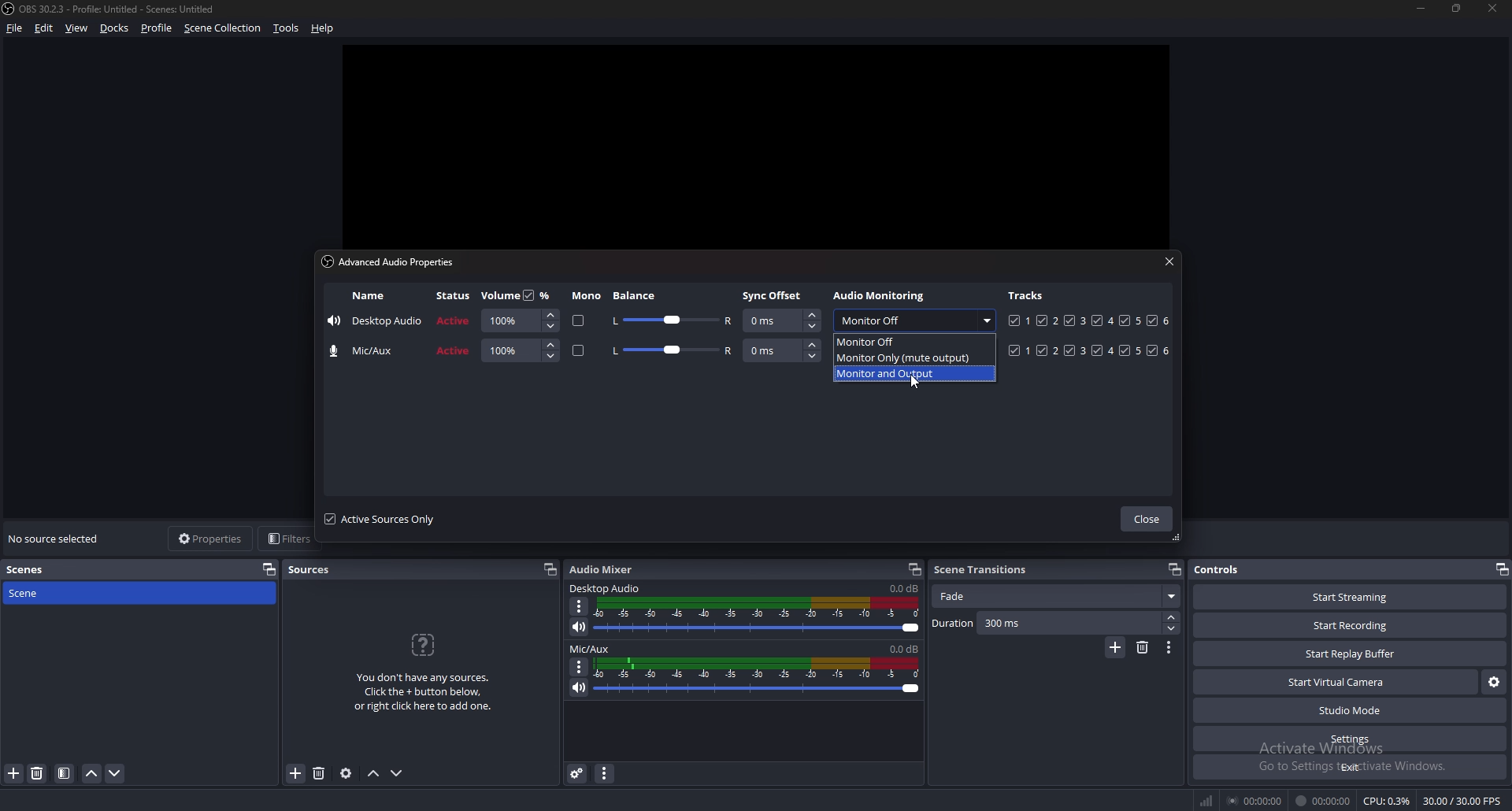  What do you see at coordinates (905, 648) in the screenshot?
I see `volume level` at bounding box center [905, 648].